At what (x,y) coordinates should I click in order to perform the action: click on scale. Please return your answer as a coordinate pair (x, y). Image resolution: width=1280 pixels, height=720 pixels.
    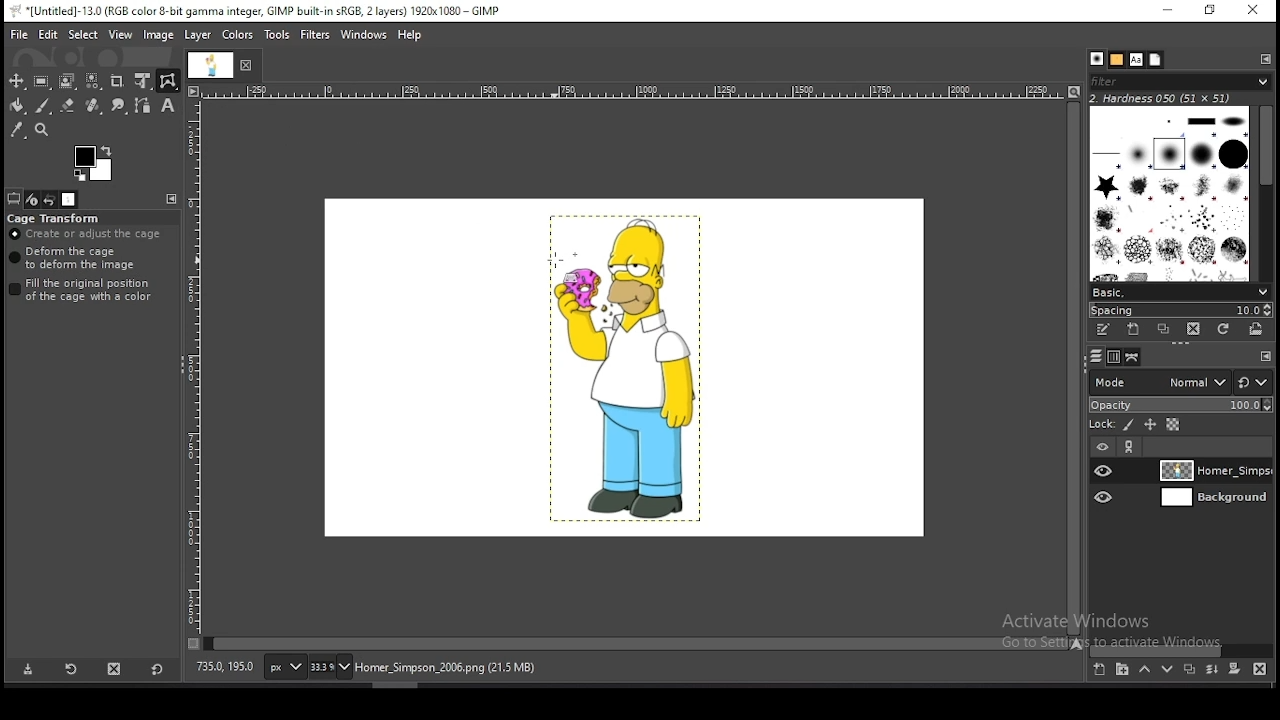
    Looking at the image, I should click on (634, 92).